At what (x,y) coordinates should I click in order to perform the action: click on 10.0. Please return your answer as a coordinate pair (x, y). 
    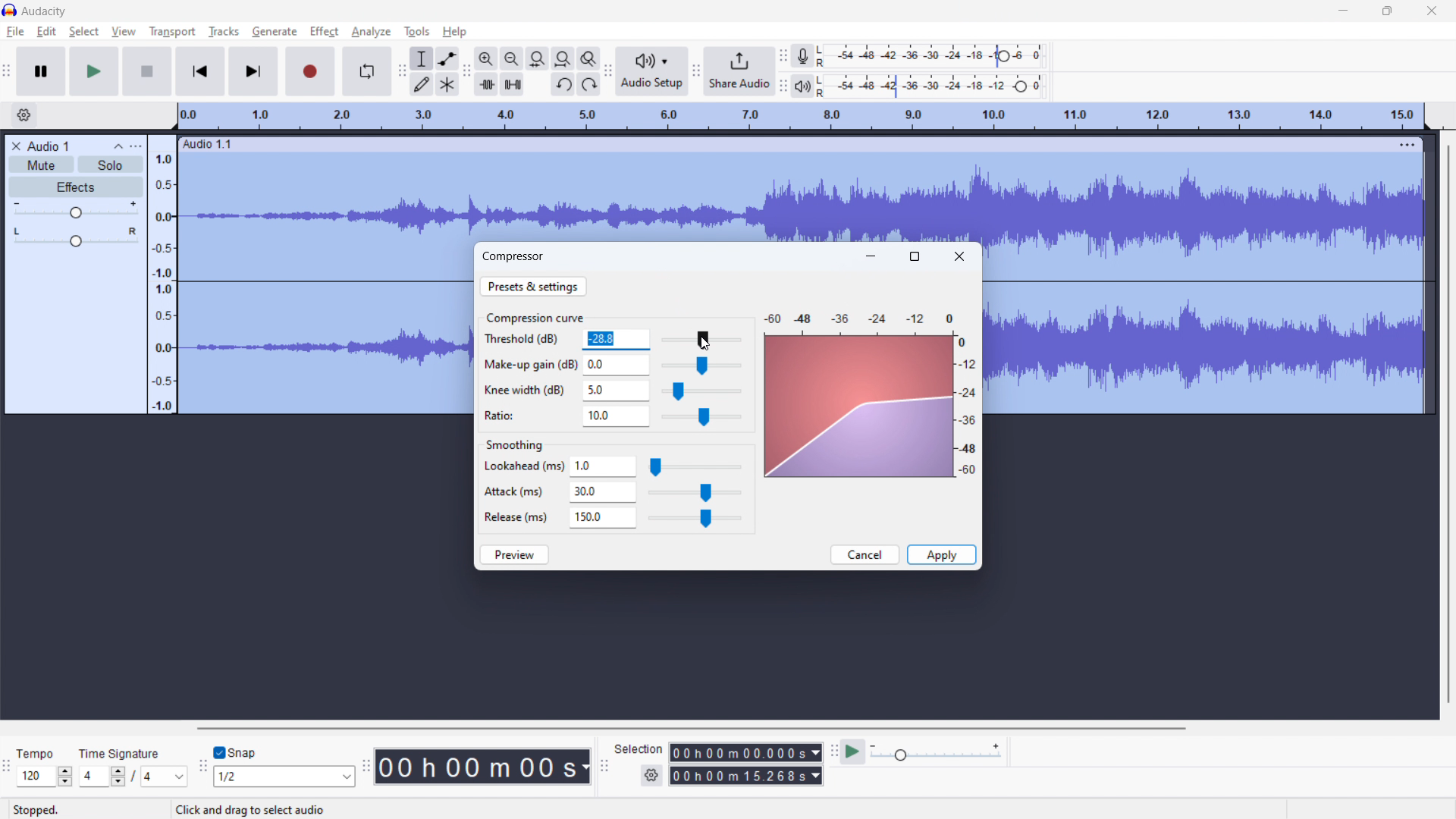
    Looking at the image, I should click on (616, 417).